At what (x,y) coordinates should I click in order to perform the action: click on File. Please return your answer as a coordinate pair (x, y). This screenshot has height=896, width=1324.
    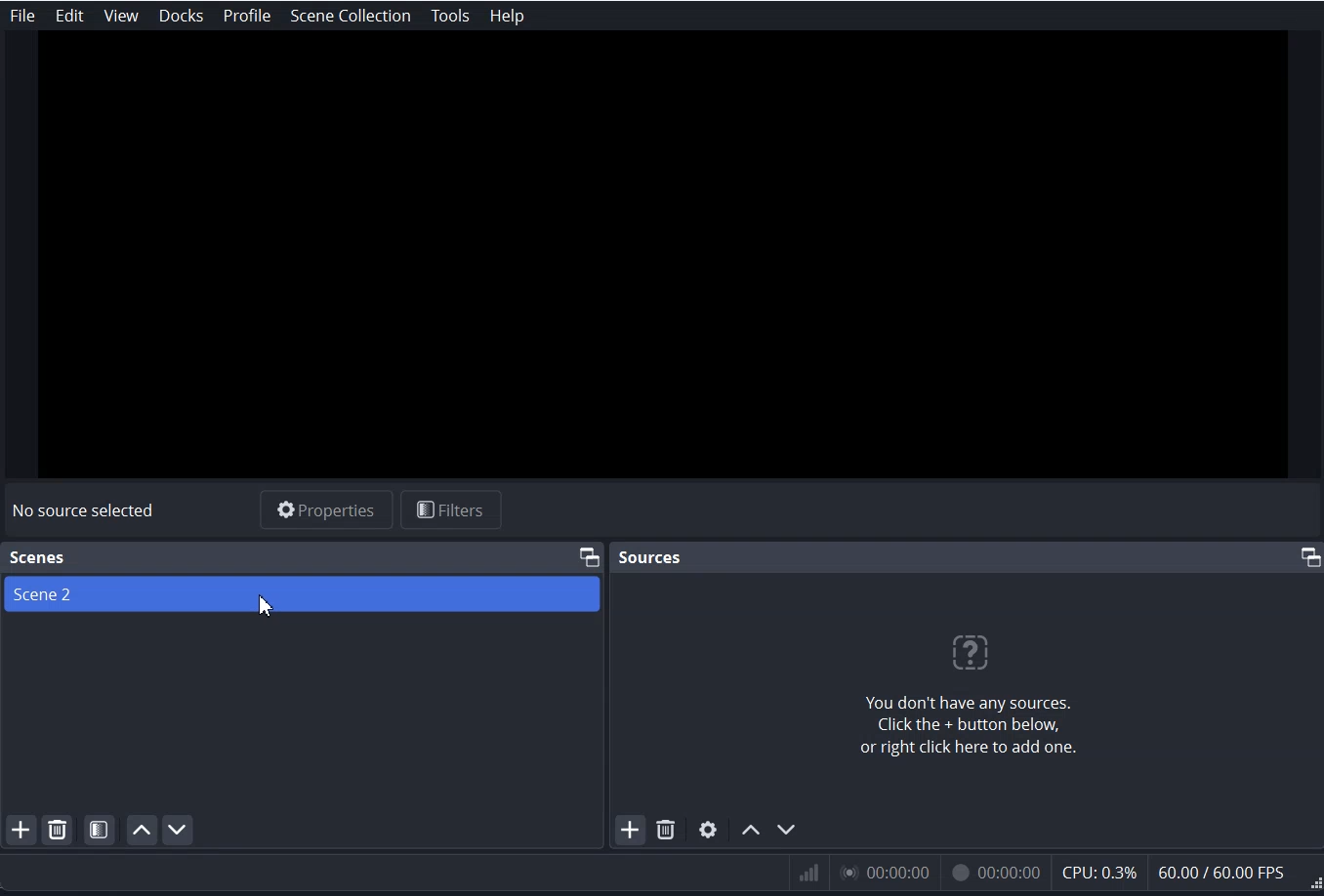
    Looking at the image, I should click on (21, 16).